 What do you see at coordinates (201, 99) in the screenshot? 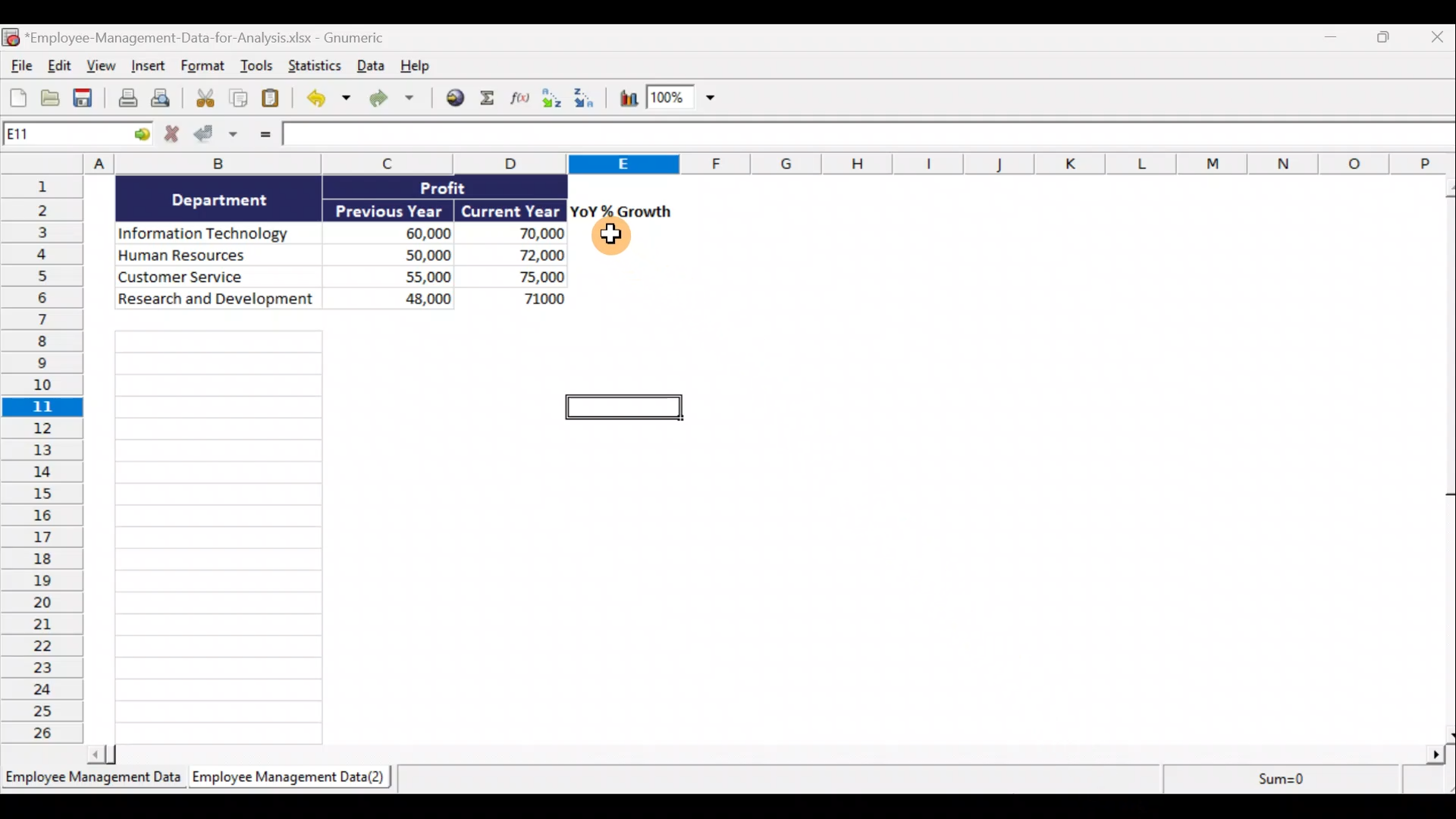
I see `Cut selection` at bounding box center [201, 99].